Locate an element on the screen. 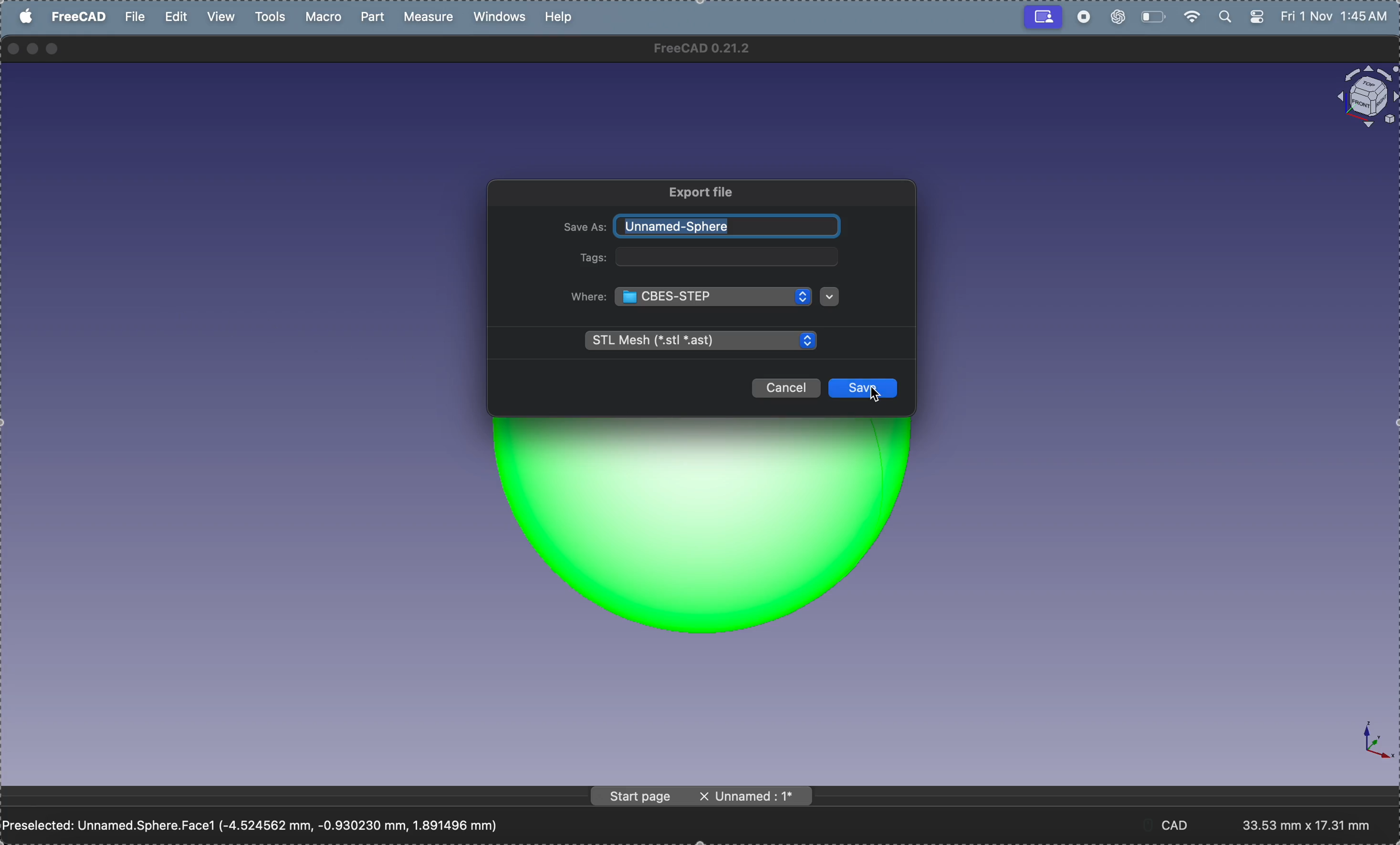  STL MESH(*STL.ast) is located at coordinates (699, 341).